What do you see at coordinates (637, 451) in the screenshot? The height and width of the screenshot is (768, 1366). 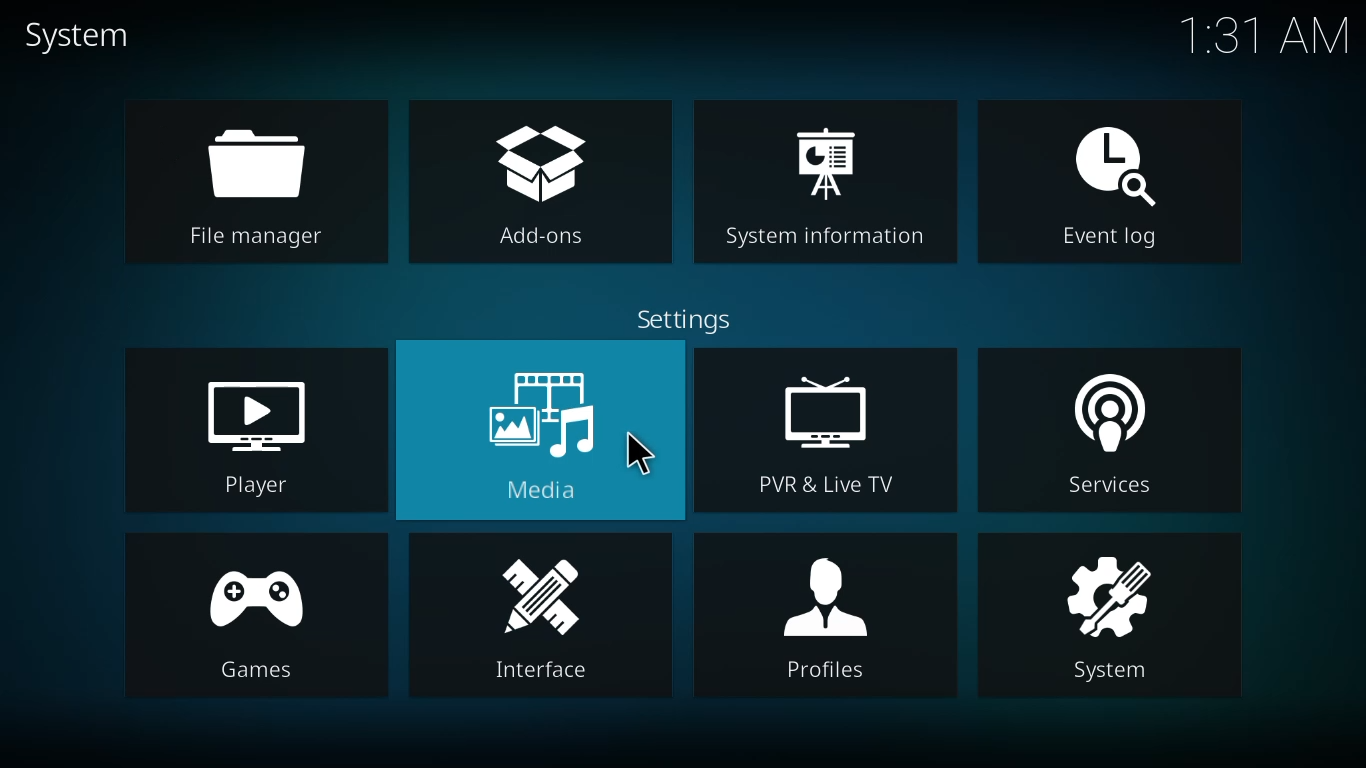 I see `cursor` at bounding box center [637, 451].